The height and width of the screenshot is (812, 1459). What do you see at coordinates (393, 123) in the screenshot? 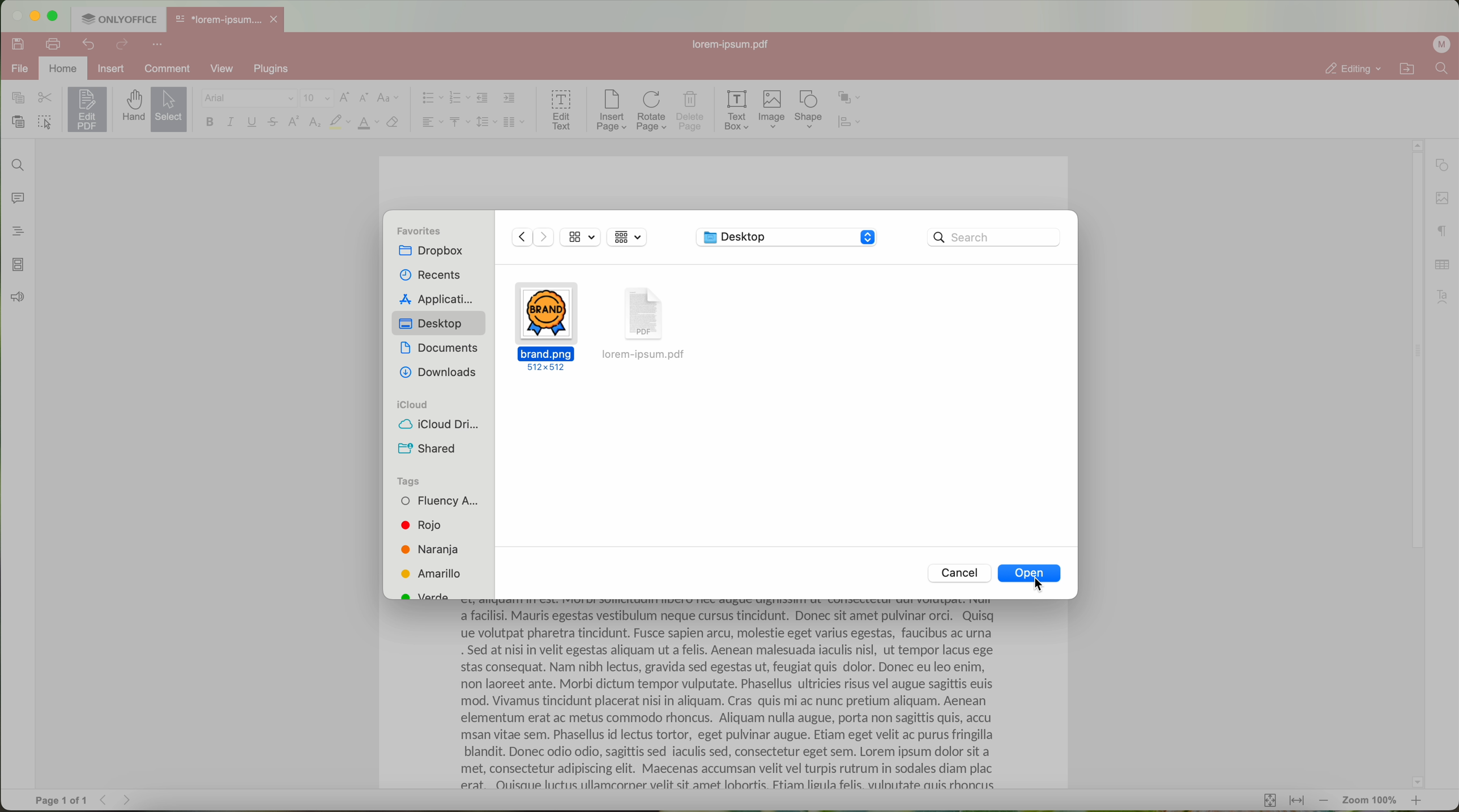
I see `clear style` at bounding box center [393, 123].